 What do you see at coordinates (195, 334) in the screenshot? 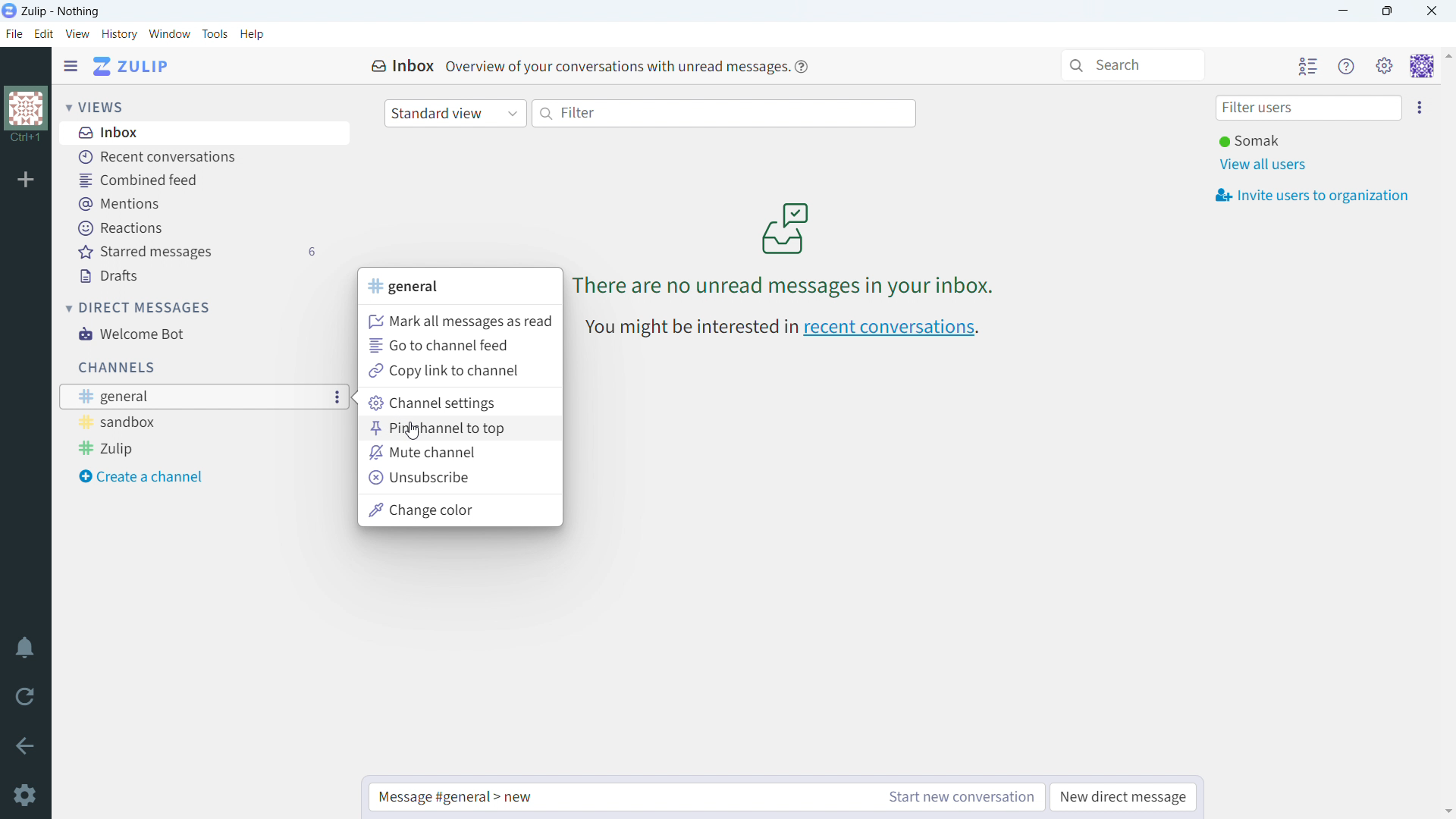
I see `welcome bot` at bounding box center [195, 334].